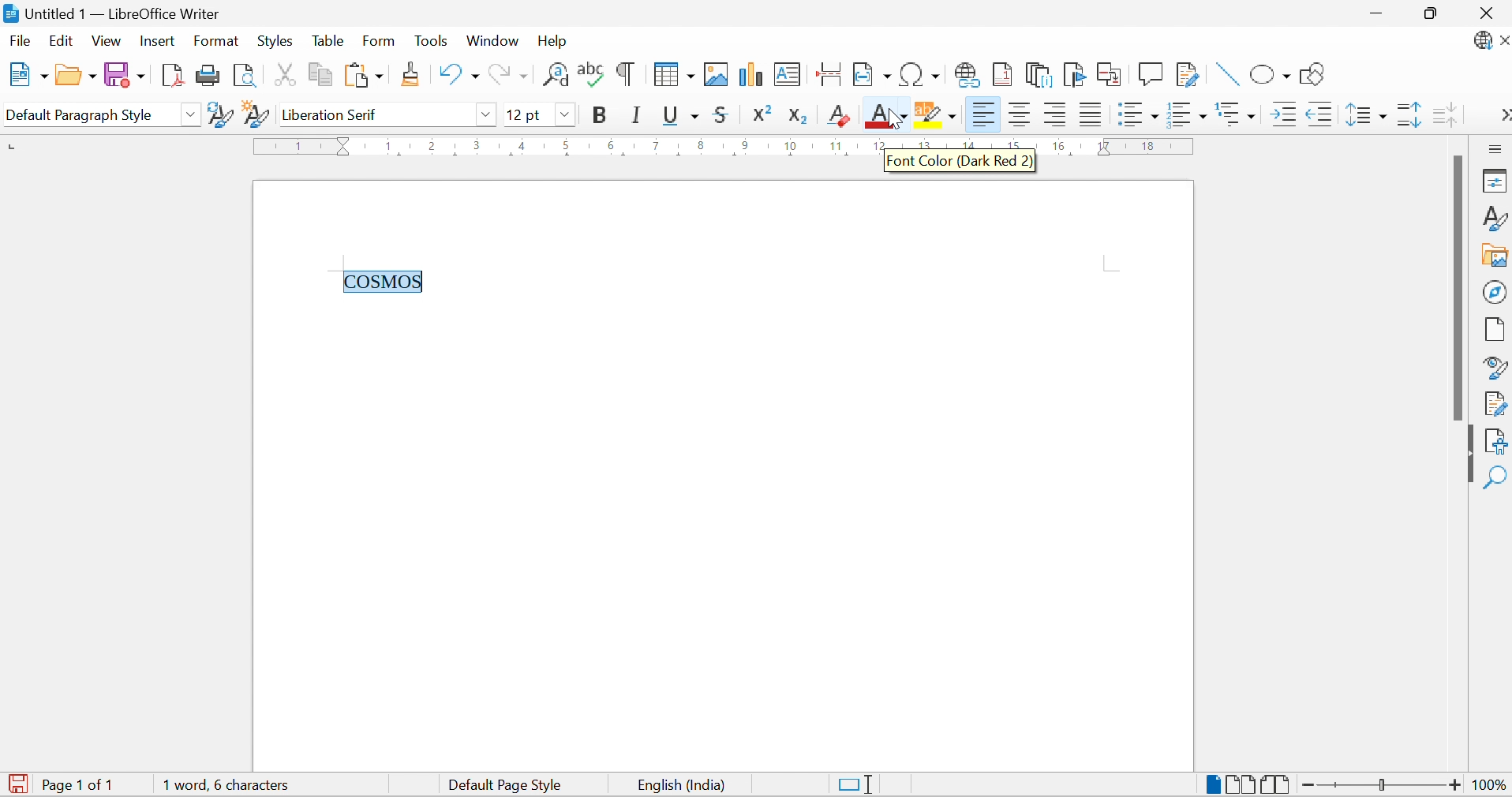 The height and width of the screenshot is (797, 1512). What do you see at coordinates (701, 147) in the screenshot?
I see `8` at bounding box center [701, 147].